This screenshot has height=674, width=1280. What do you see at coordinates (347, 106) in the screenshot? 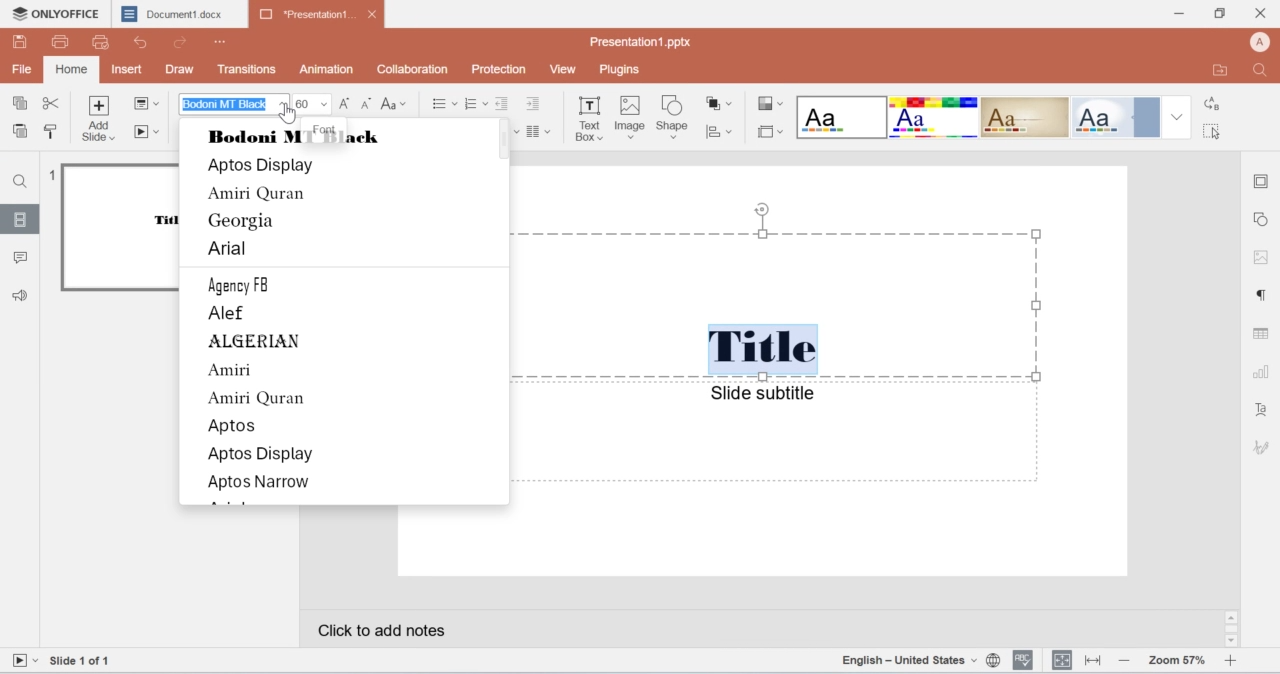
I see `increase font size` at bounding box center [347, 106].